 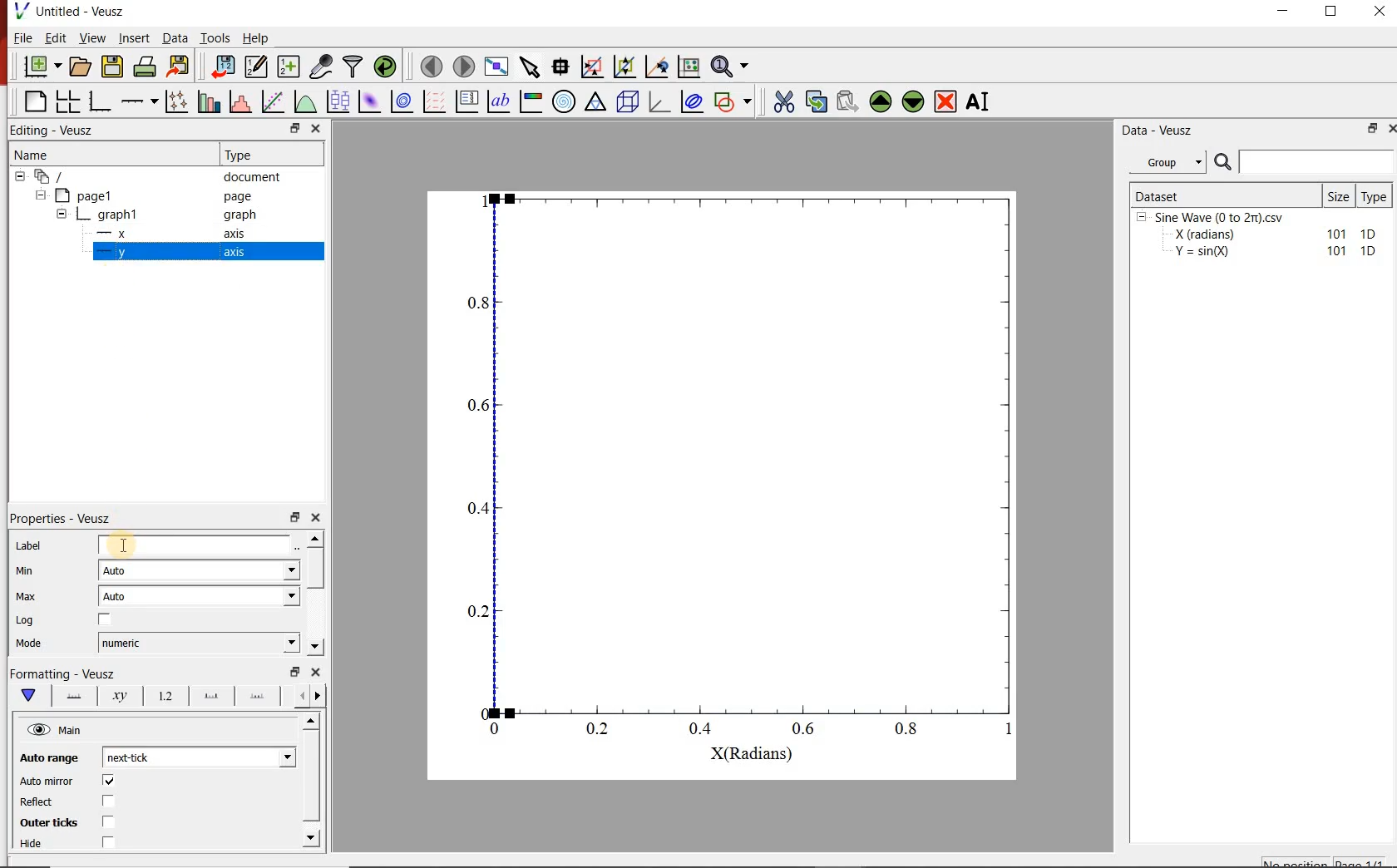 What do you see at coordinates (565, 101) in the screenshot?
I see `Polar graph` at bounding box center [565, 101].